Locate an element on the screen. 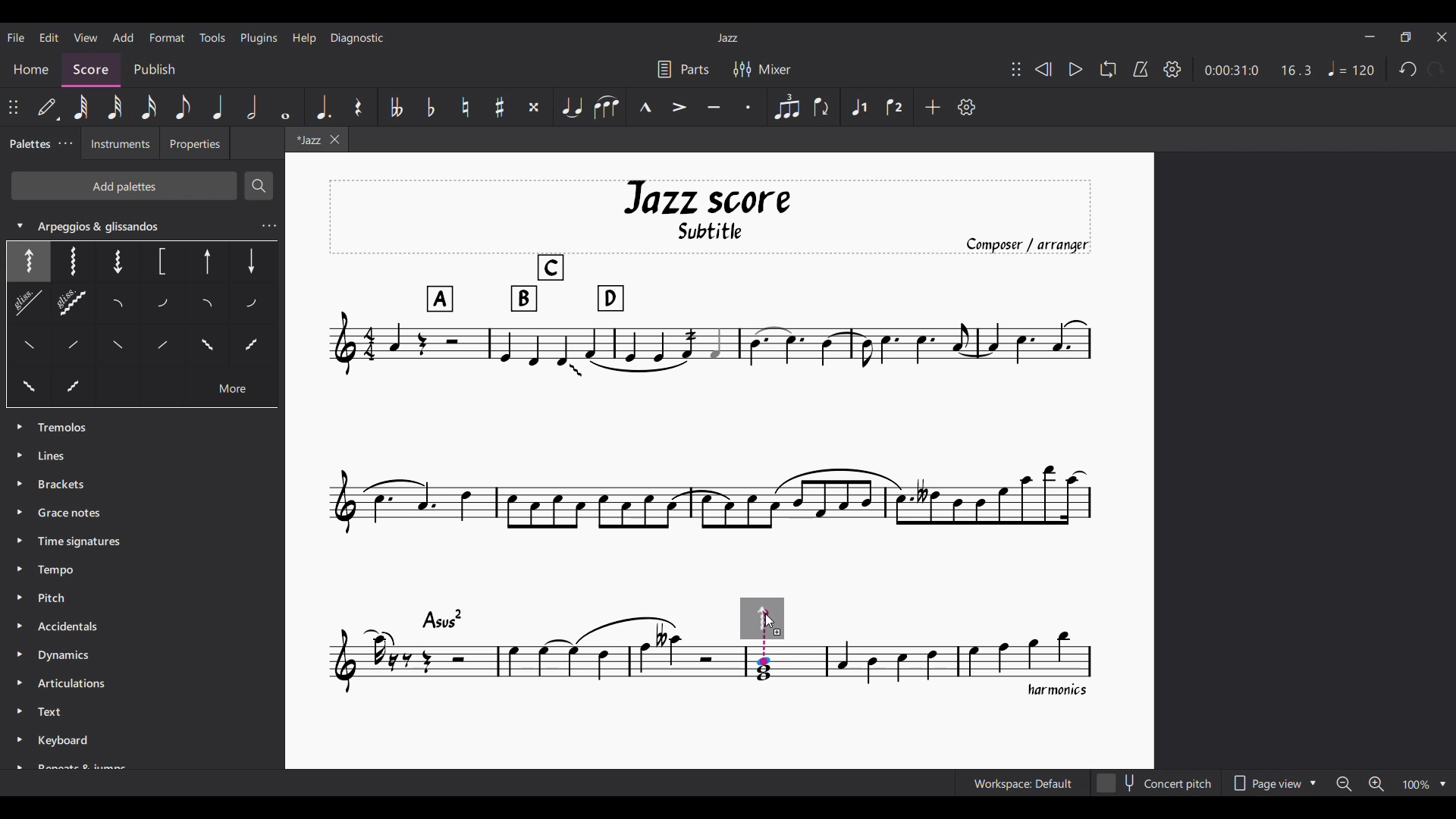 The height and width of the screenshot is (819, 1456). Brackets is located at coordinates (63, 485).